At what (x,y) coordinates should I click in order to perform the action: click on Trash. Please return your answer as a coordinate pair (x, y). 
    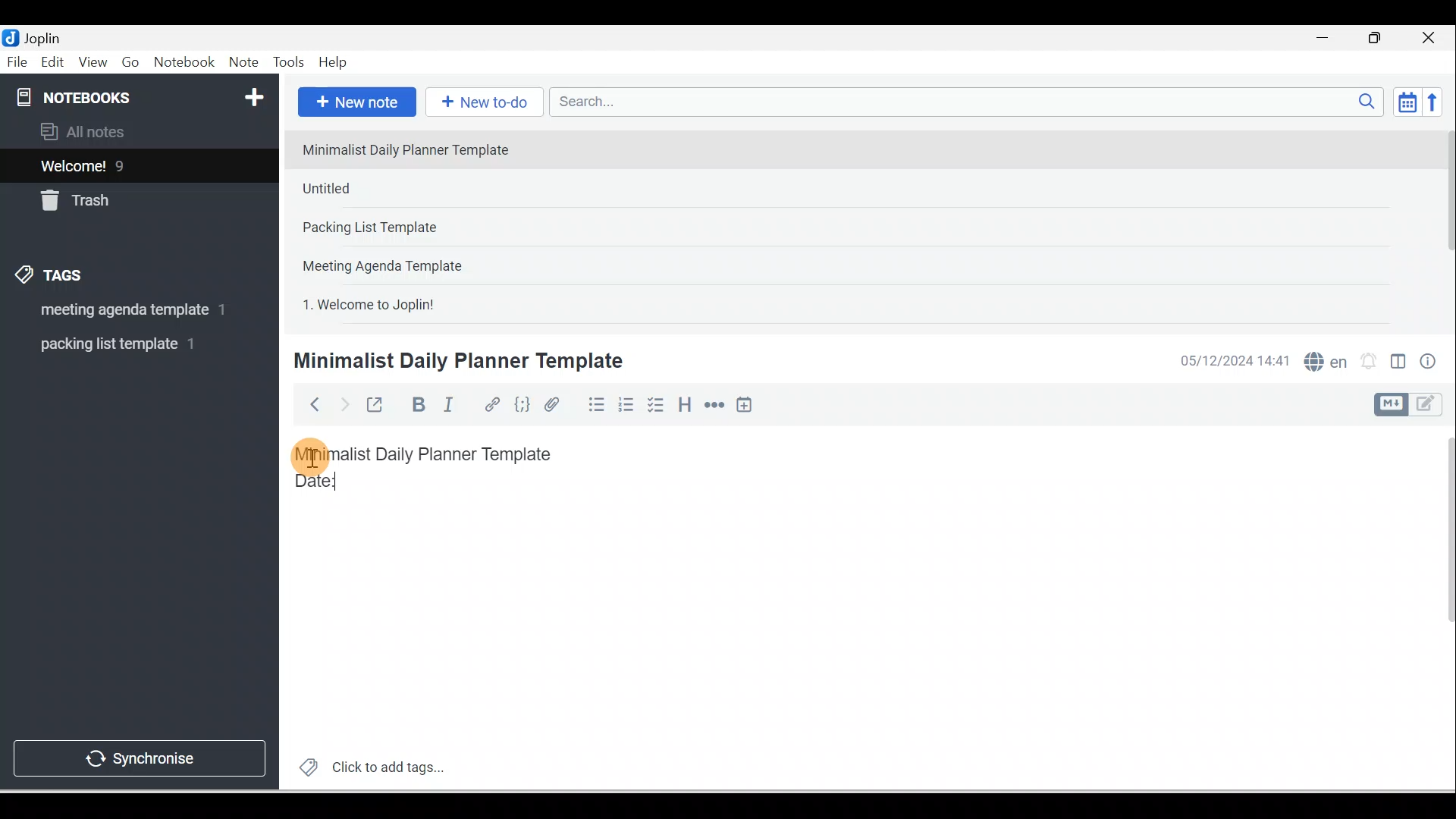
    Looking at the image, I should click on (111, 196).